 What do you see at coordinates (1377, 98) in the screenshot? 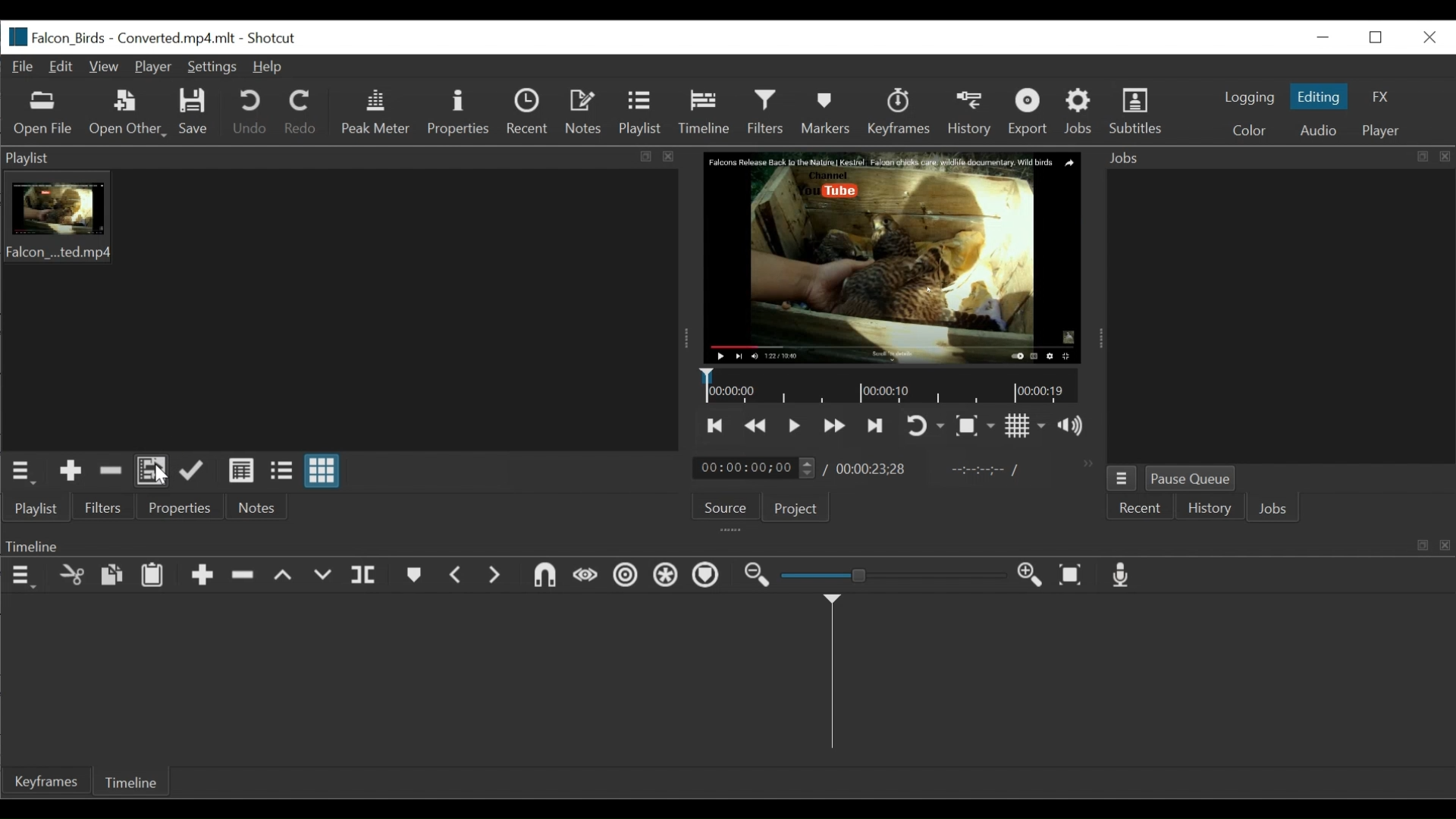
I see `FX` at bounding box center [1377, 98].